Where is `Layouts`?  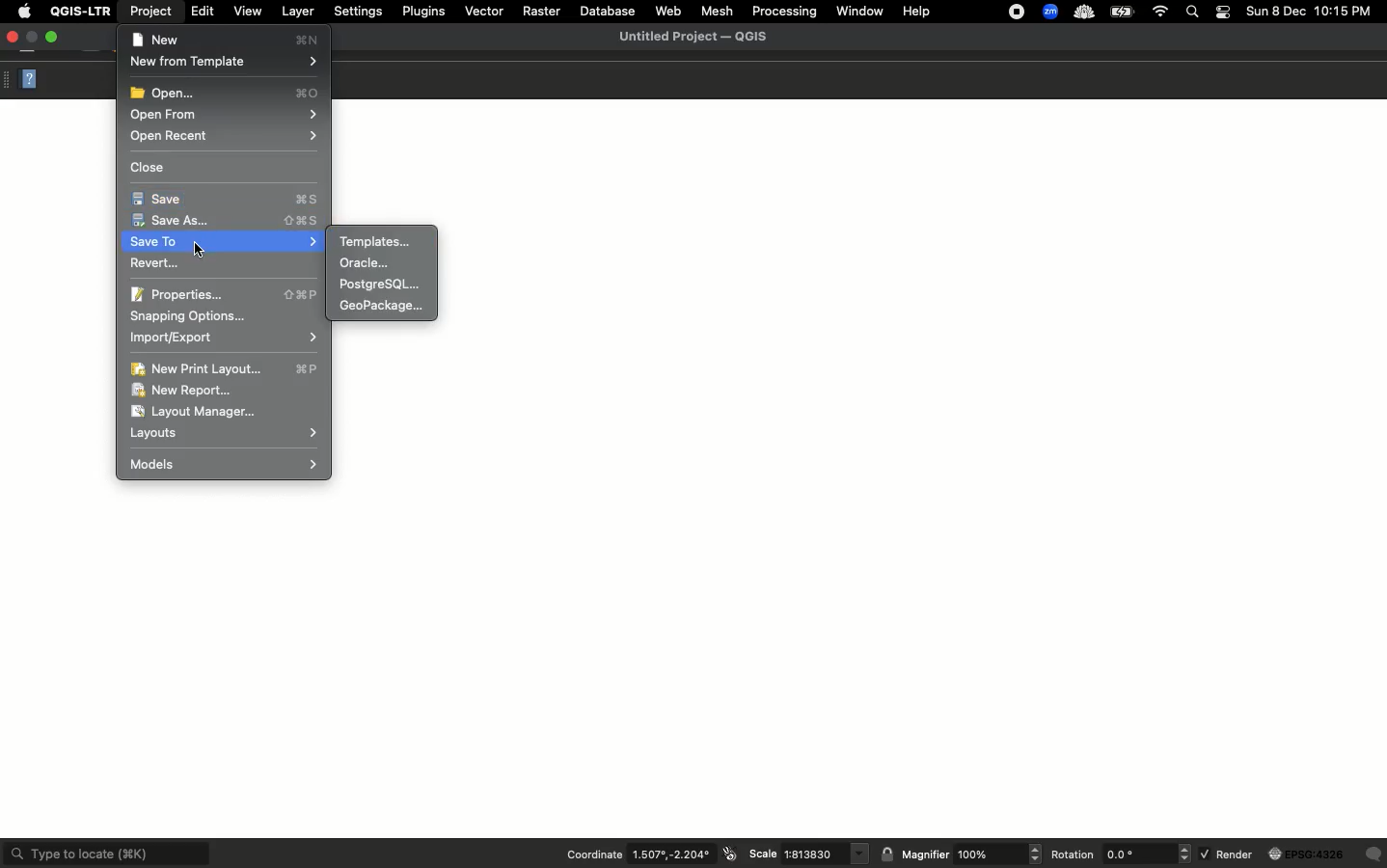 Layouts is located at coordinates (225, 434).